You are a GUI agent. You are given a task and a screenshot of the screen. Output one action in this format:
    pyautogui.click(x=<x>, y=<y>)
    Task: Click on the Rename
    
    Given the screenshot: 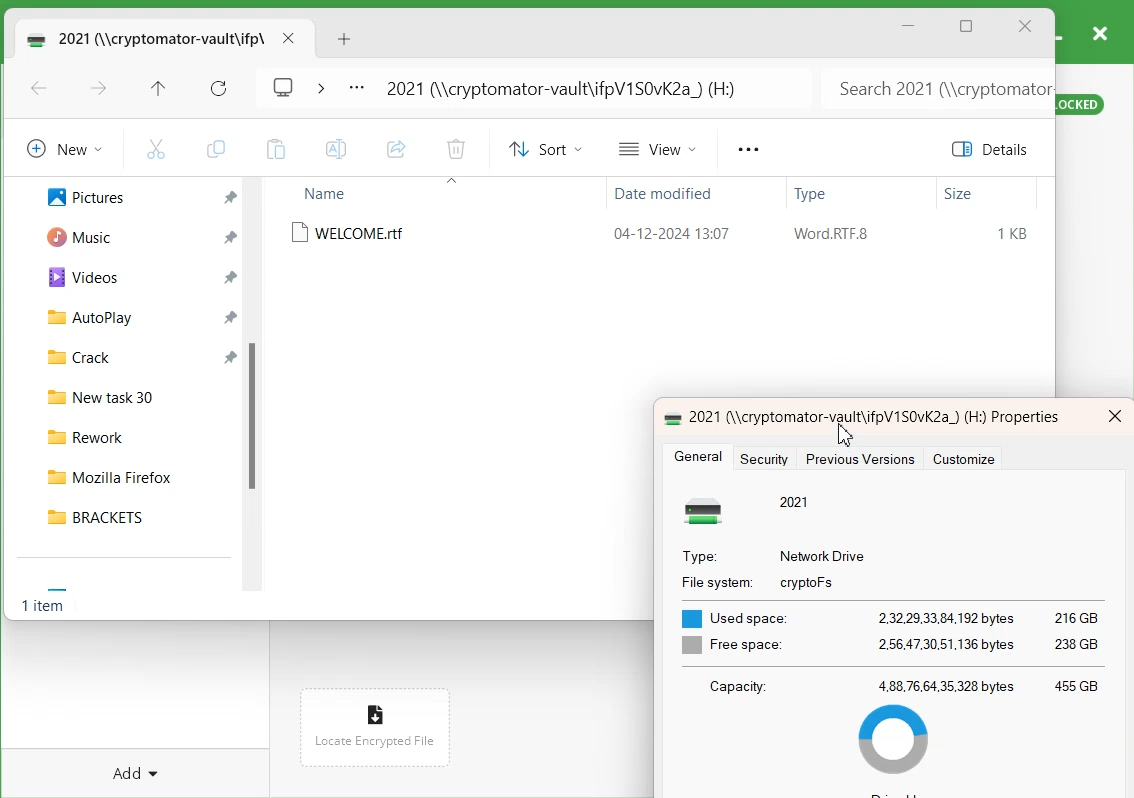 What is the action you would take?
    pyautogui.click(x=337, y=149)
    